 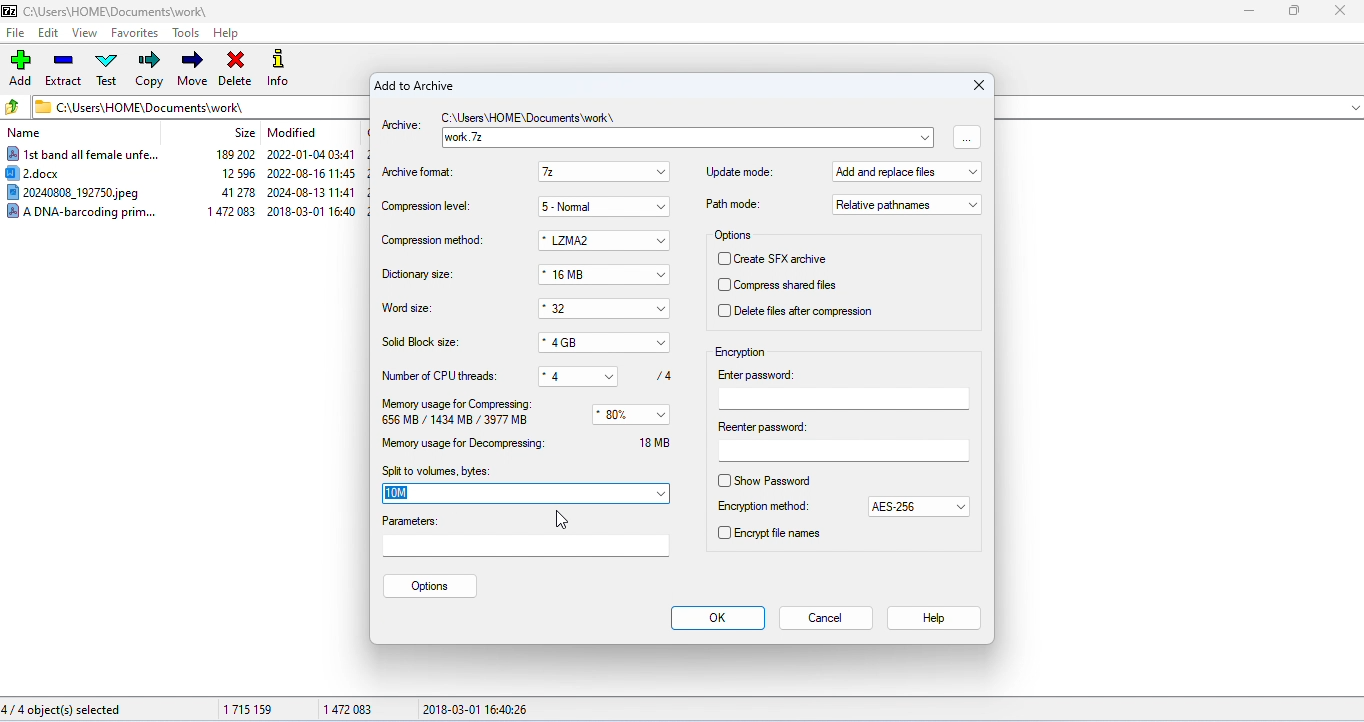 I want to click on number of CPU threads, so click(x=442, y=375).